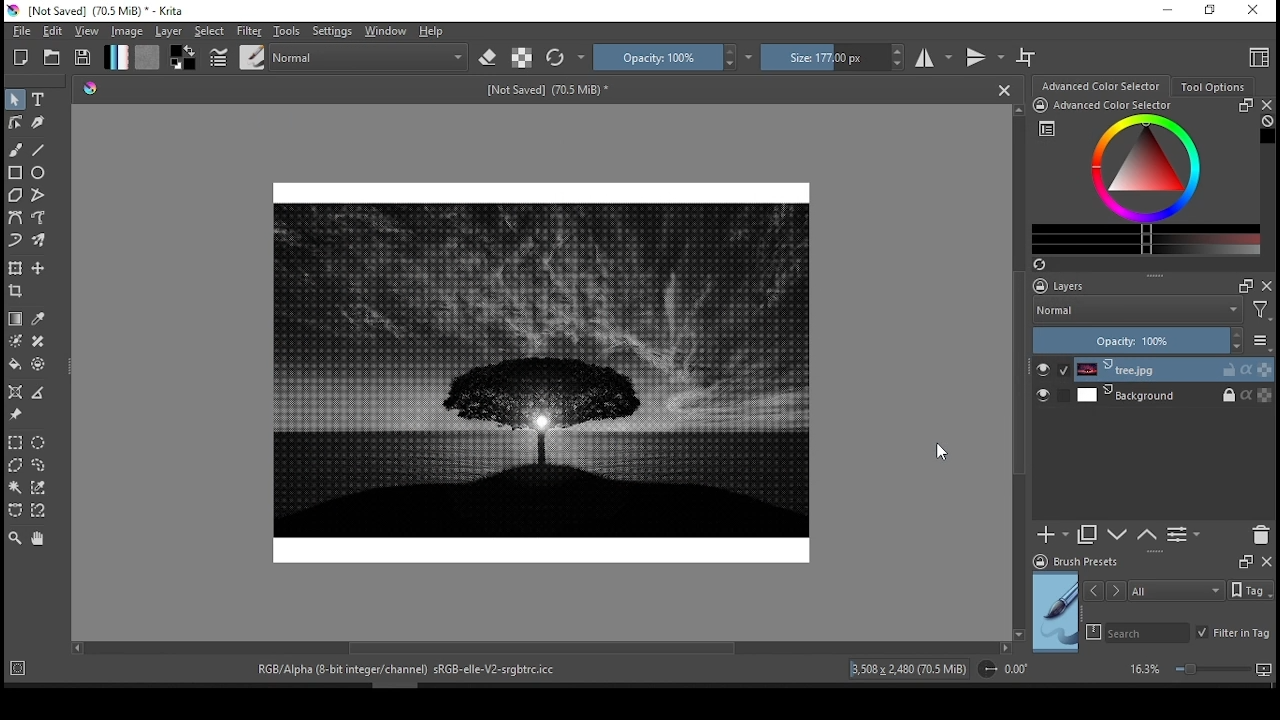  What do you see at coordinates (1107, 562) in the screenshot?
I see `brush presets` at bounding box center [1107, 562].